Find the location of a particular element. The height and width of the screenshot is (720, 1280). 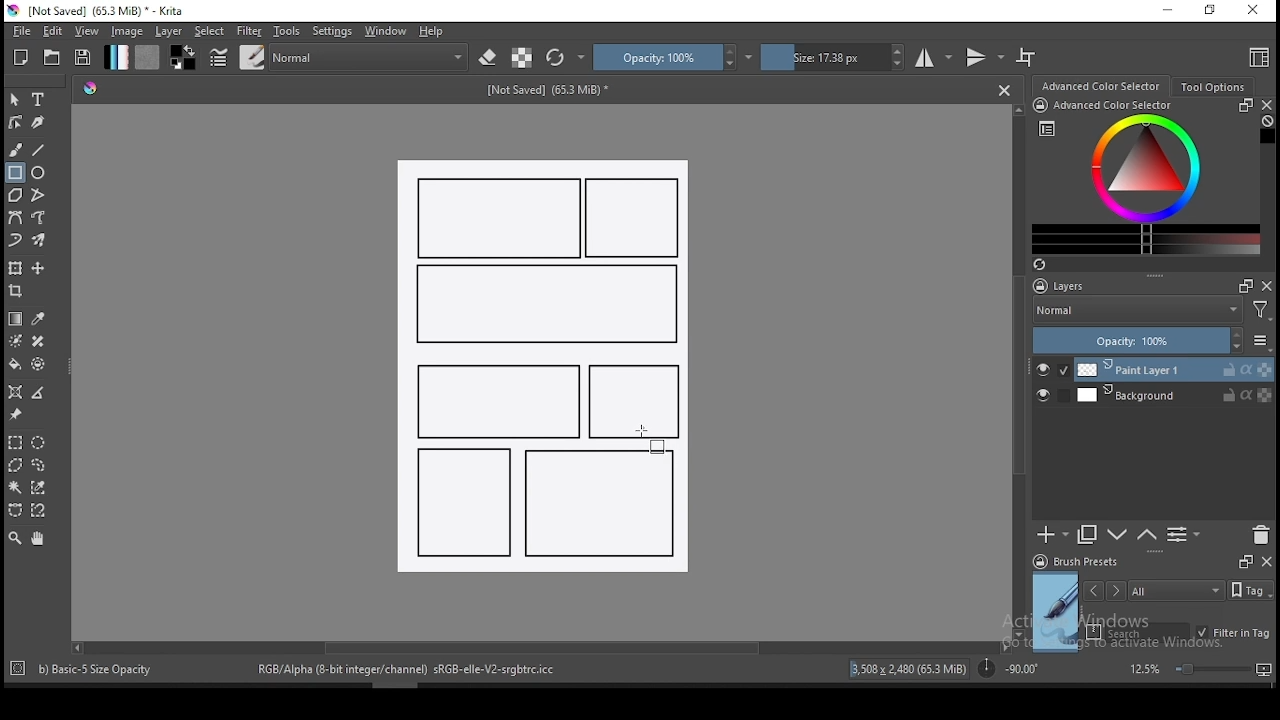

reference images tool is located at coordinates (14, 415).